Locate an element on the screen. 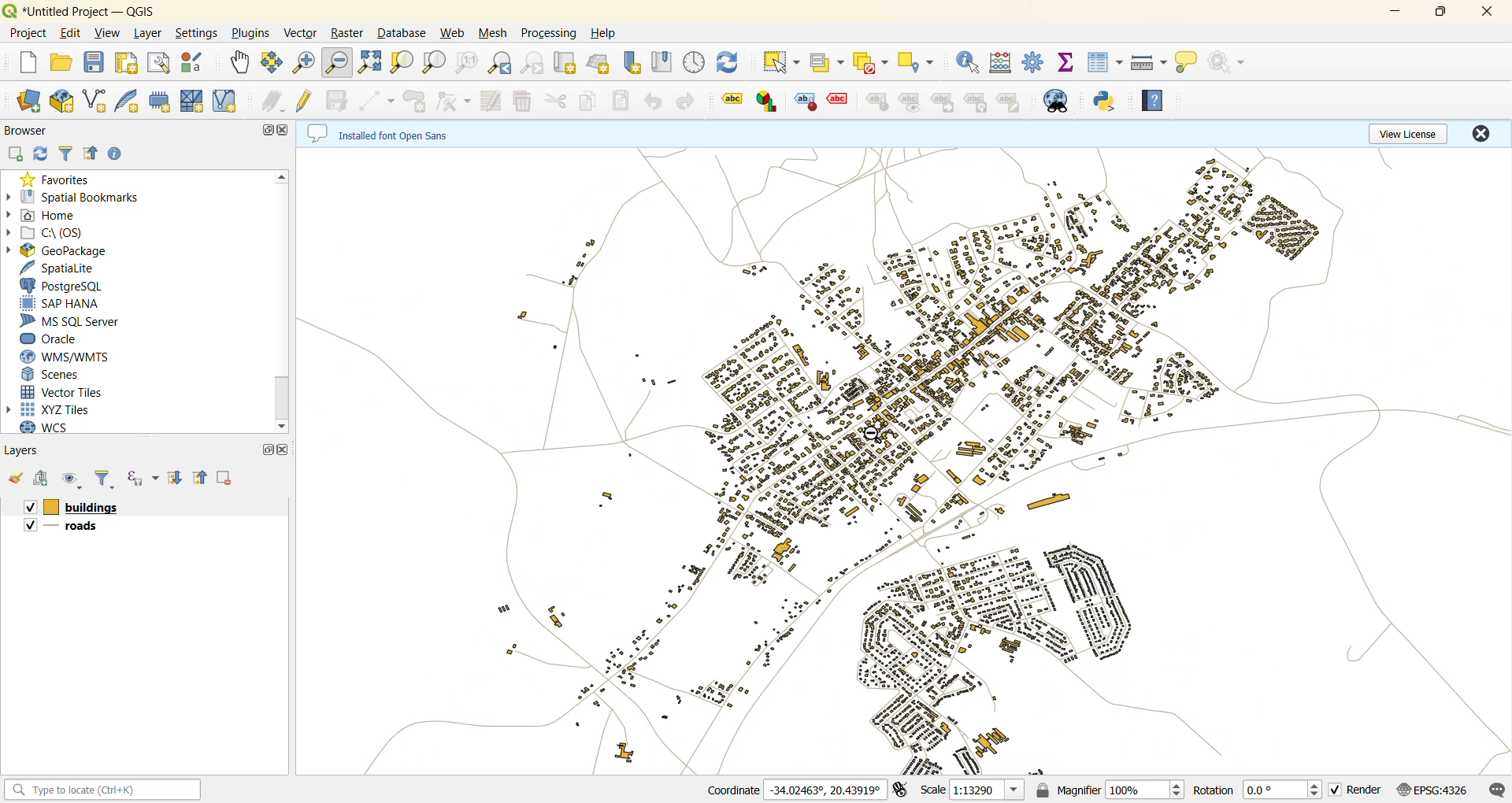 Image resolution: width=1512 pixels, height=803 pixels. render is located at coordinates (1355, 790).